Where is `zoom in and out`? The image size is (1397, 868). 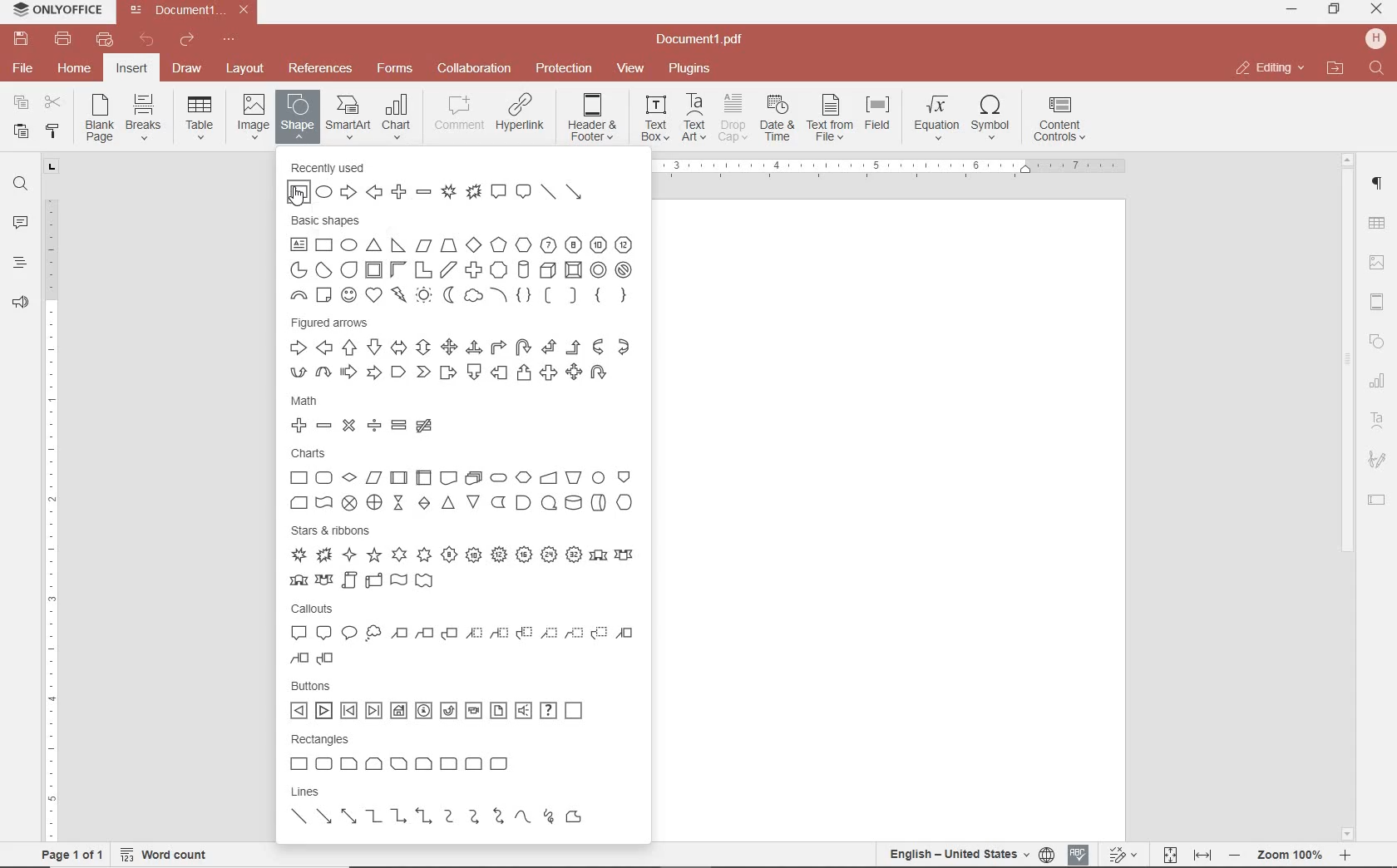 zoom in and out is located at coordinates (1290, 856).